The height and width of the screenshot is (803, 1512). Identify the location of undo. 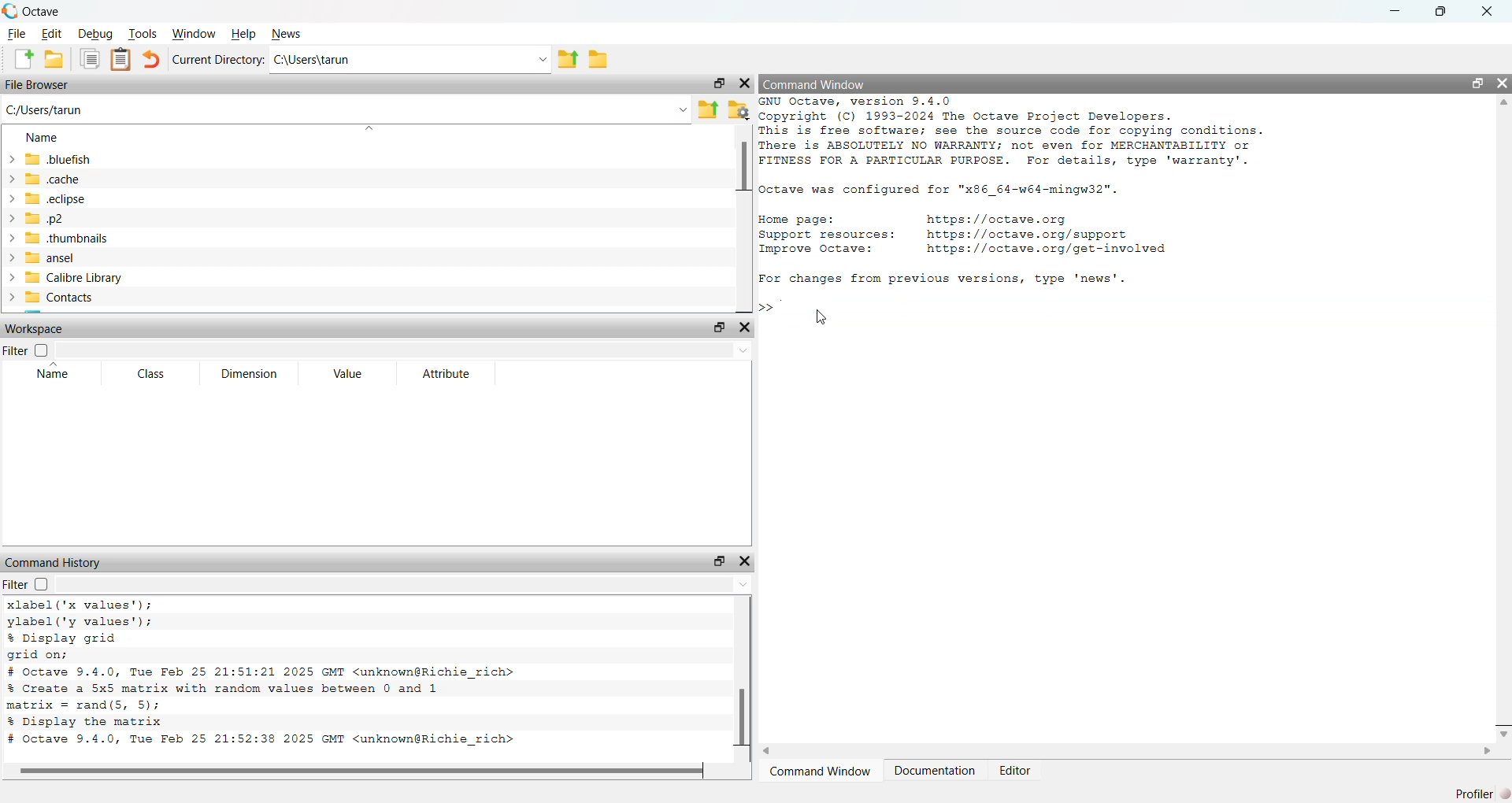
(151, 58).